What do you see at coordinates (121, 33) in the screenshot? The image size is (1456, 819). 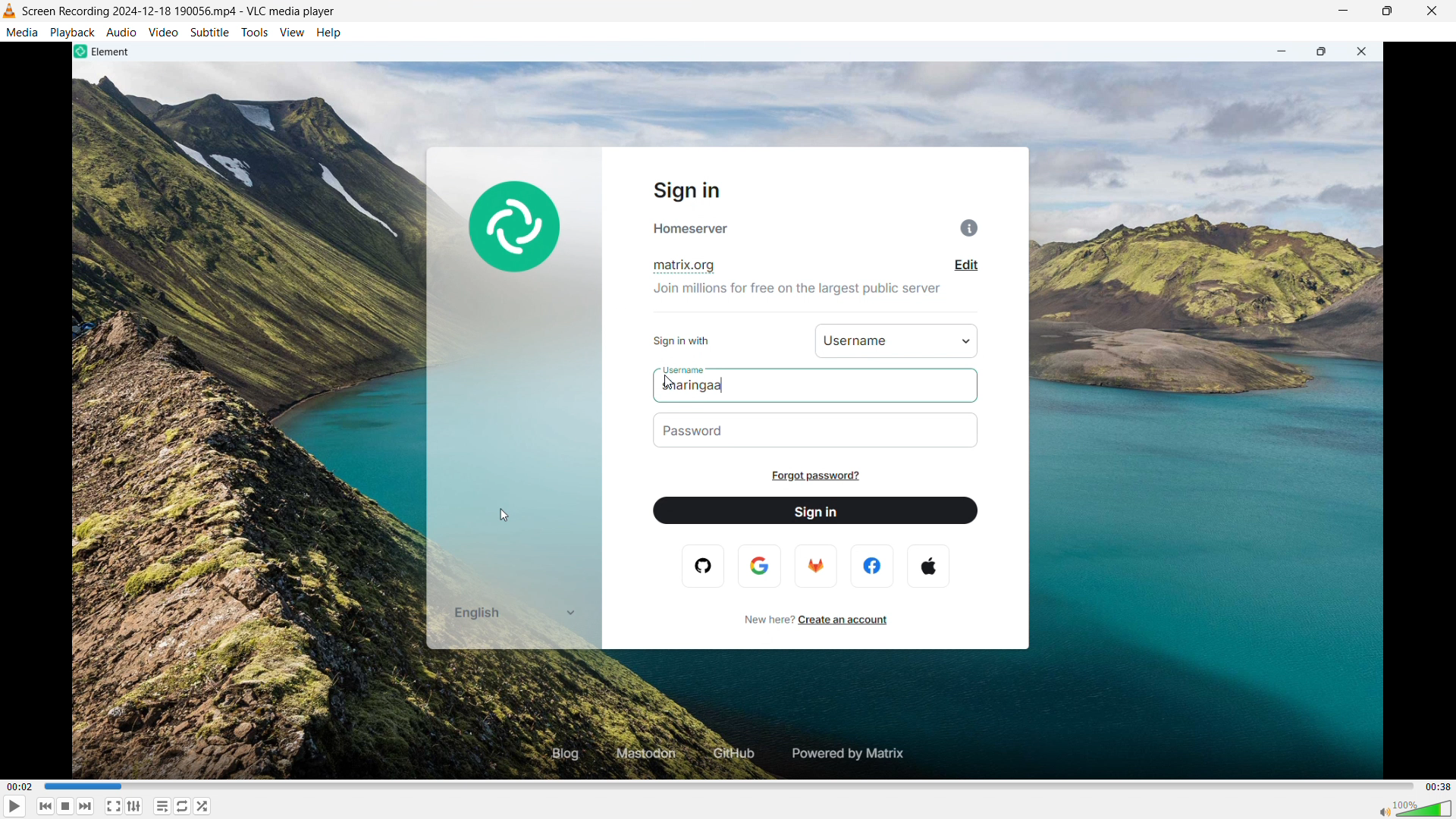 I see `audio` at bounding box center [121, 33].